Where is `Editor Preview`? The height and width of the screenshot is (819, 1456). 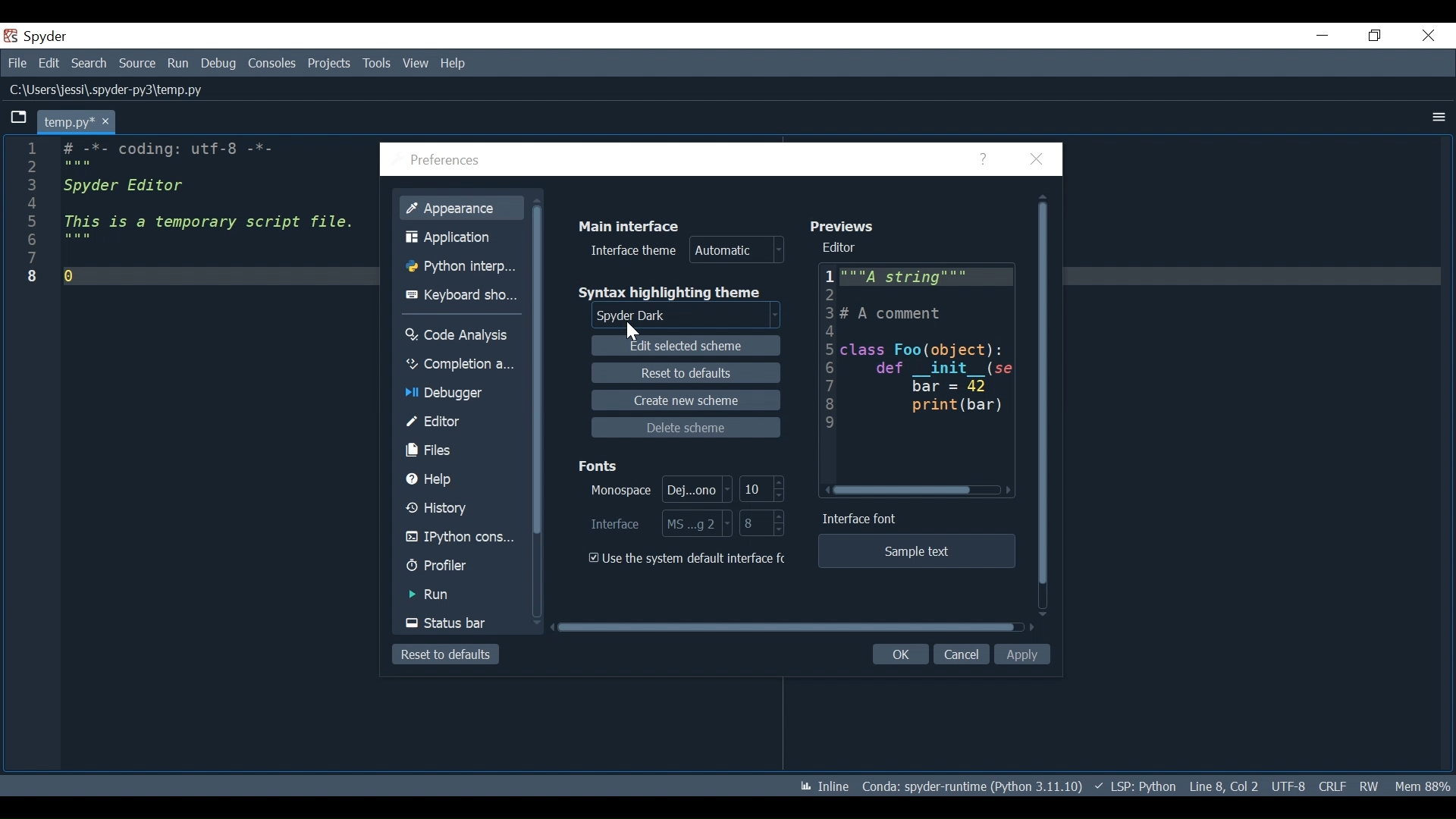
Editor Preview is located at coordinates (916, 371).